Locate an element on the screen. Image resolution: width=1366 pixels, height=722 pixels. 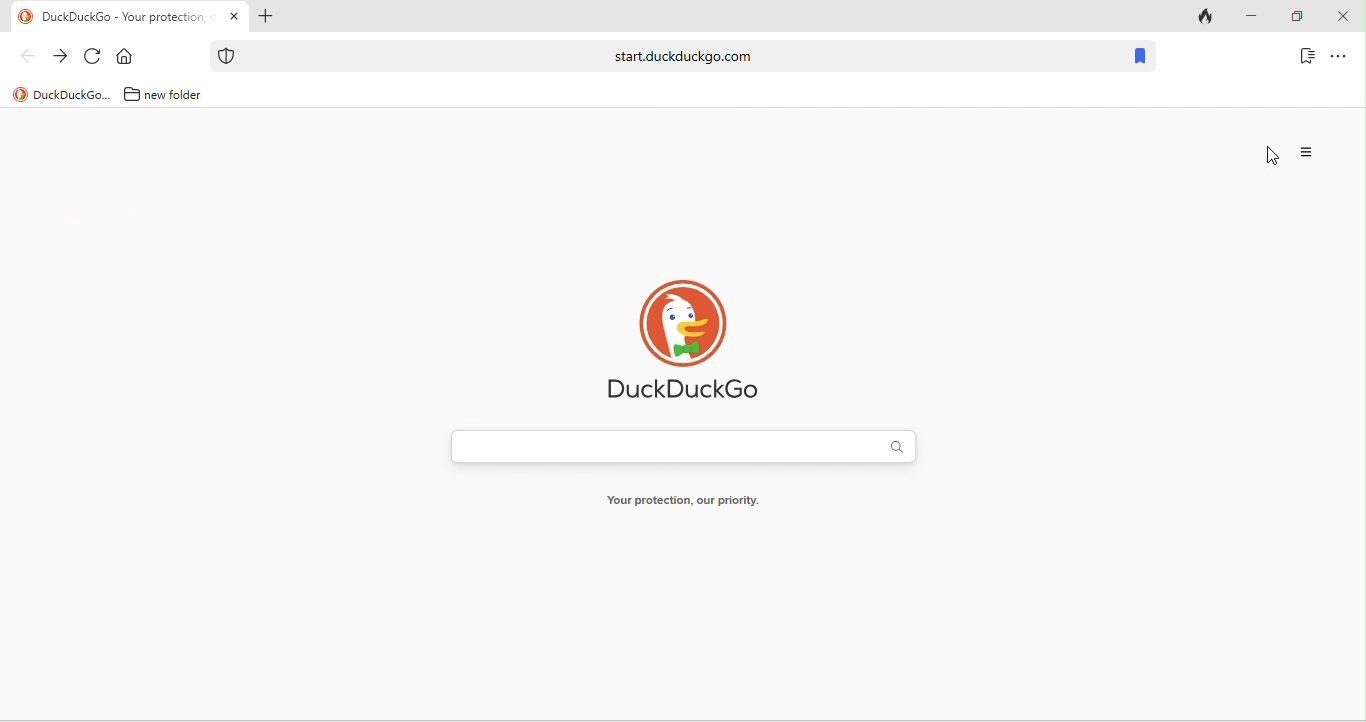
your protection, our priority. is located at coordinates (691, 502).